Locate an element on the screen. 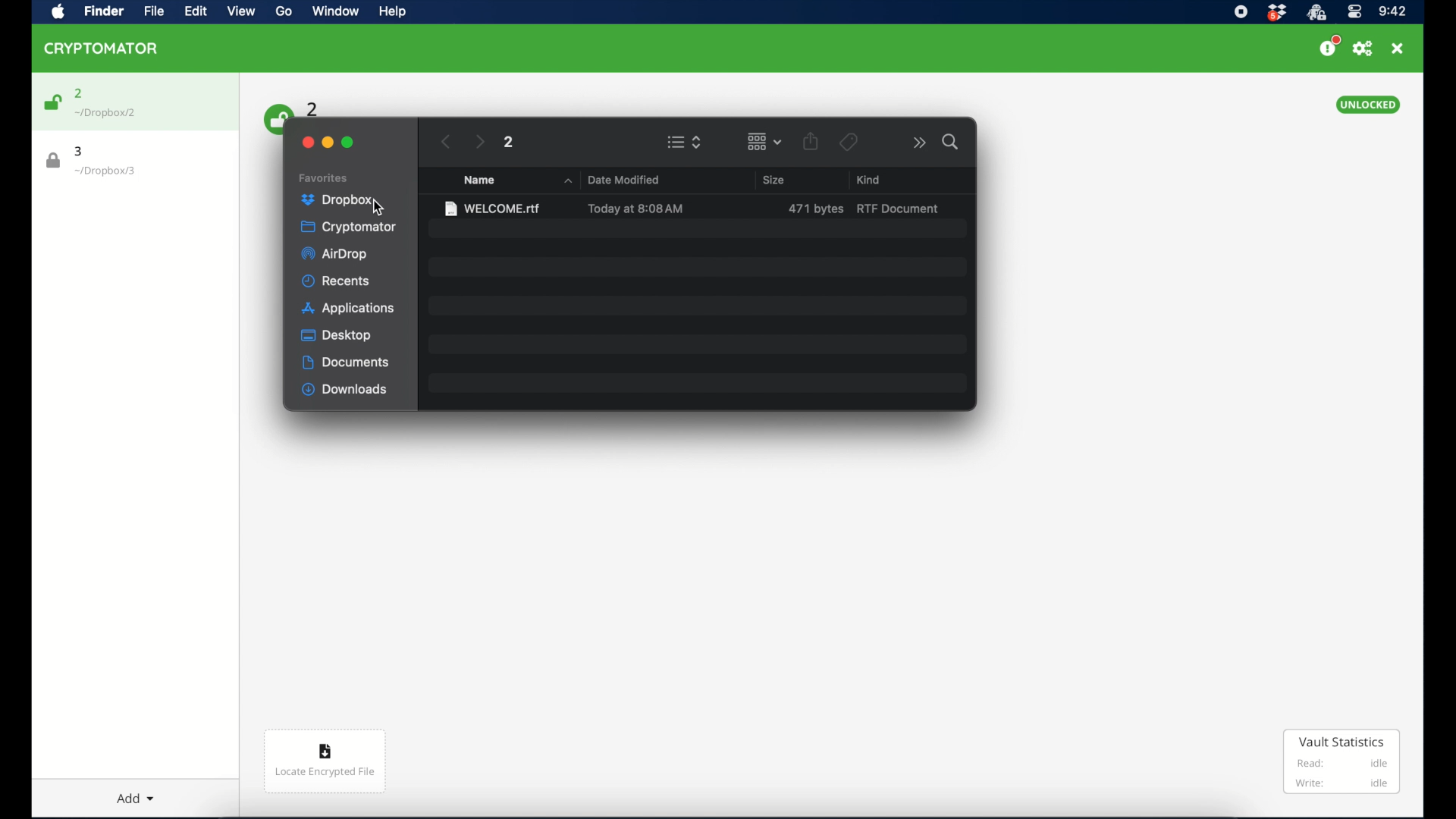  unlock  icon is located at coordinates (52, 102).